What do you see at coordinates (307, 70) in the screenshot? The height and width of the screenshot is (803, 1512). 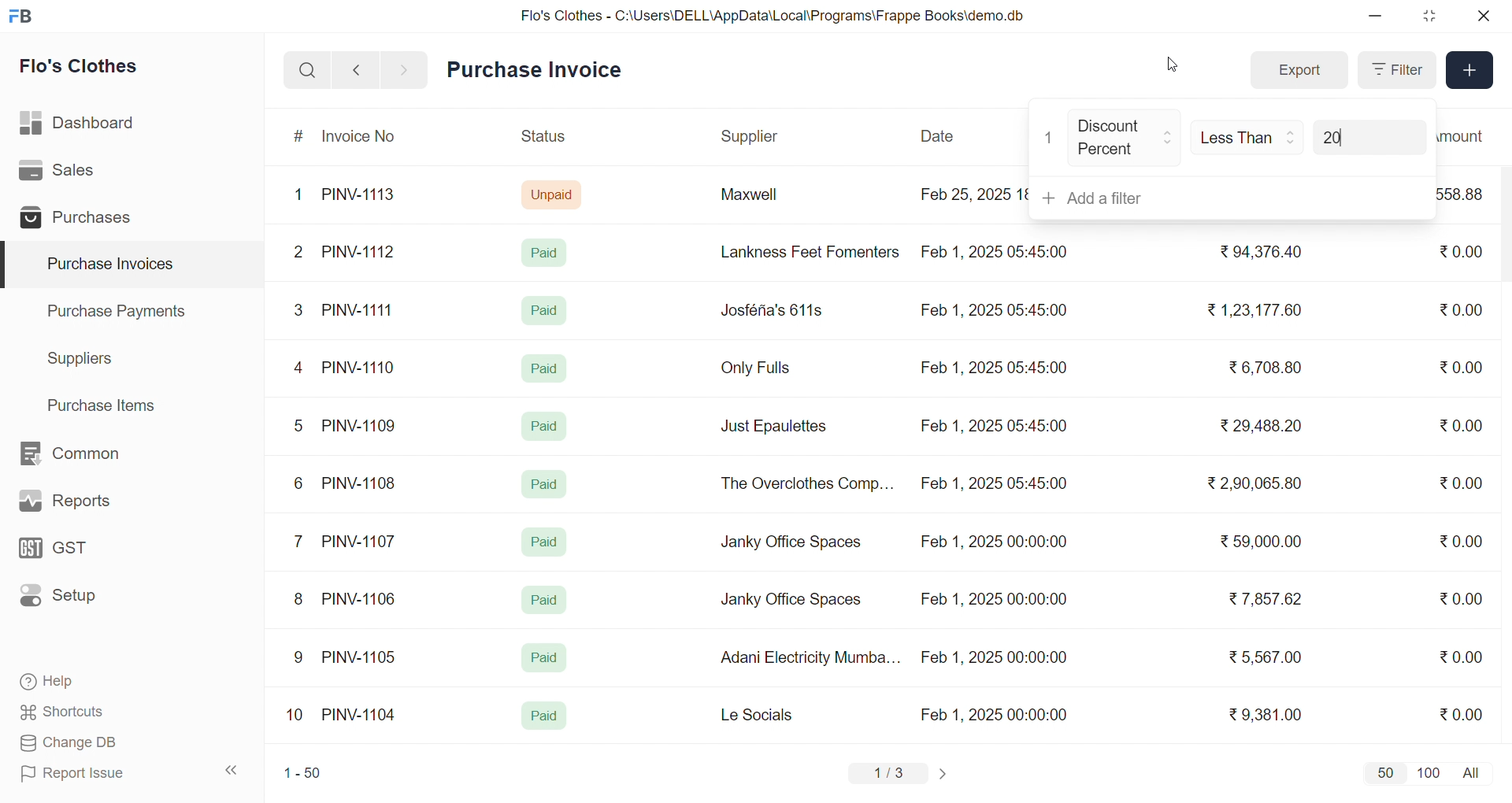 I see `search` at bounding box center [307, 70].